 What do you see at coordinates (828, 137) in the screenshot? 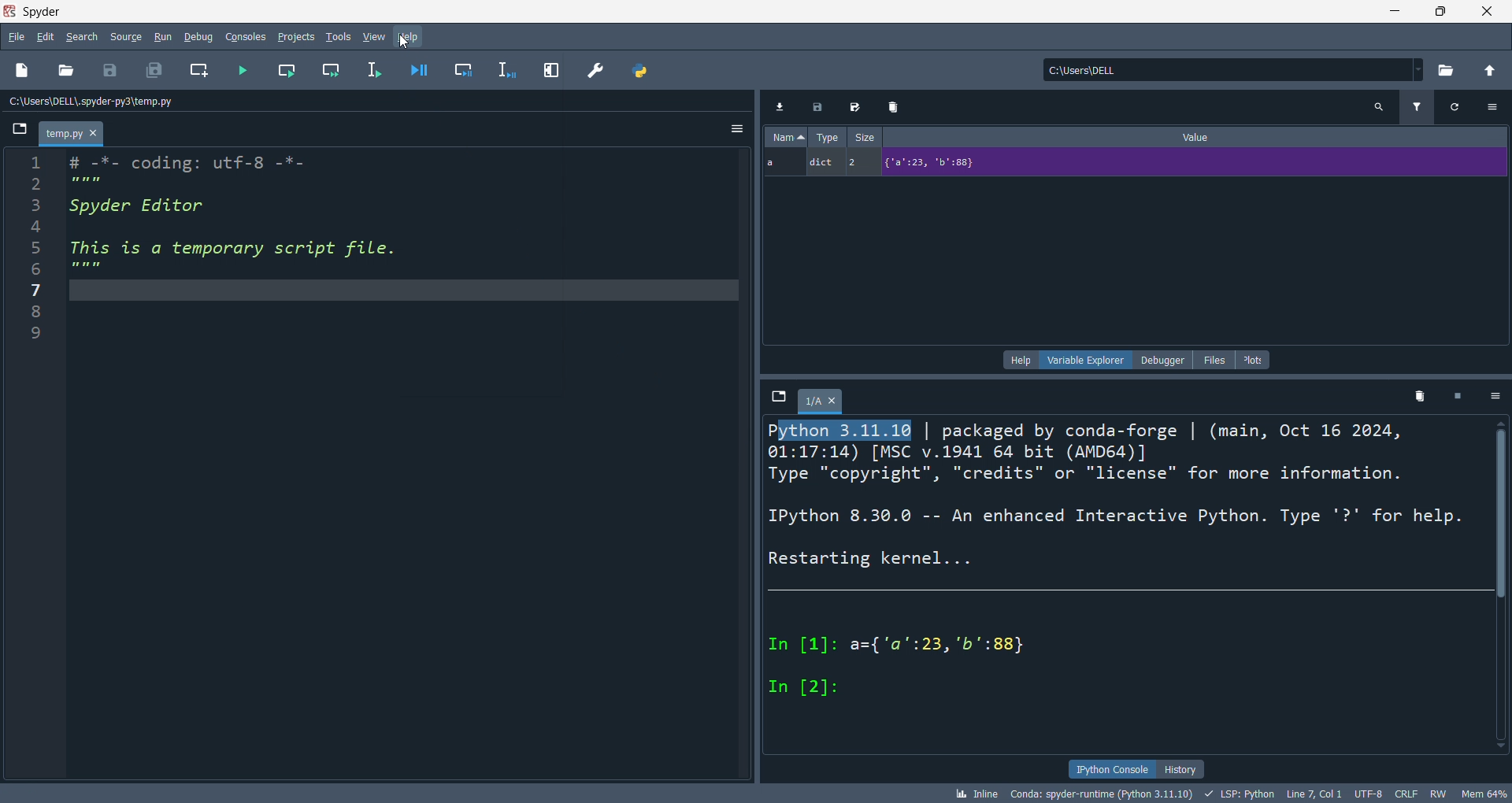
I see `Type` at bounding box center [828, 137].